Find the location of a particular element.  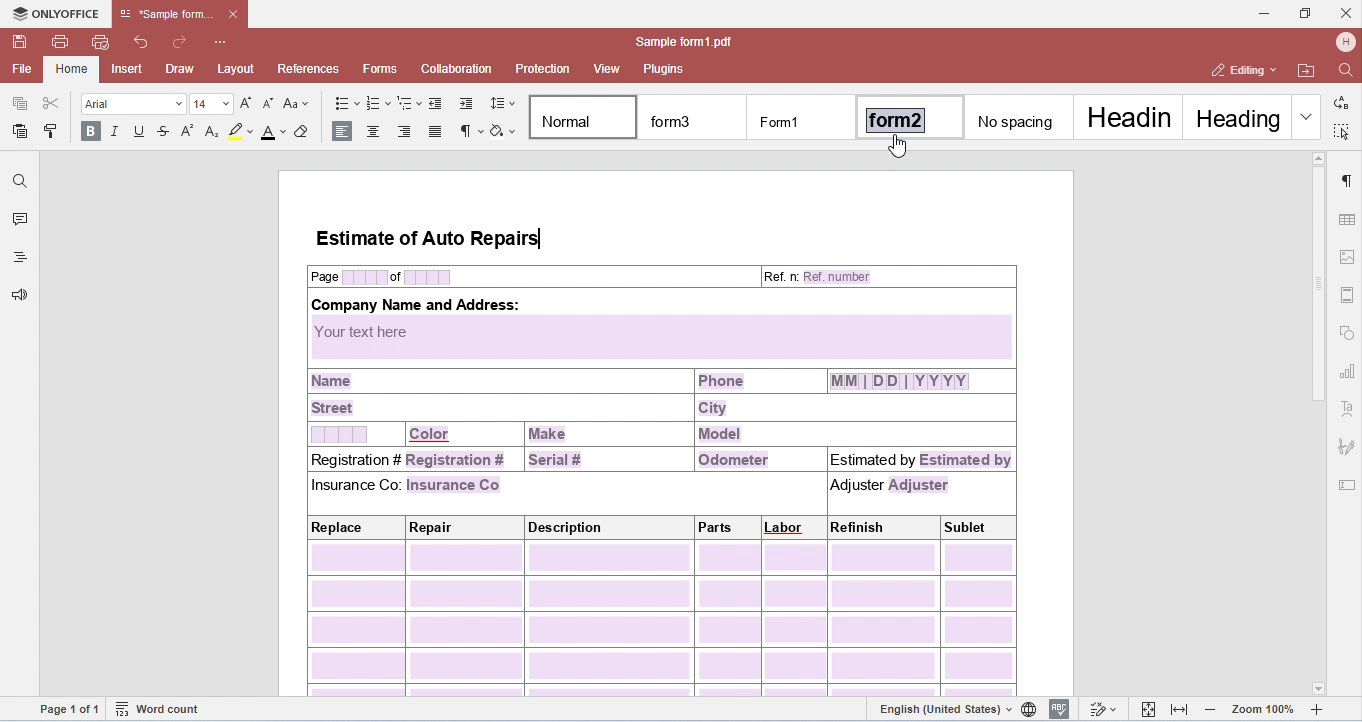

nonprinting characters is located at coordinates (470, 132).